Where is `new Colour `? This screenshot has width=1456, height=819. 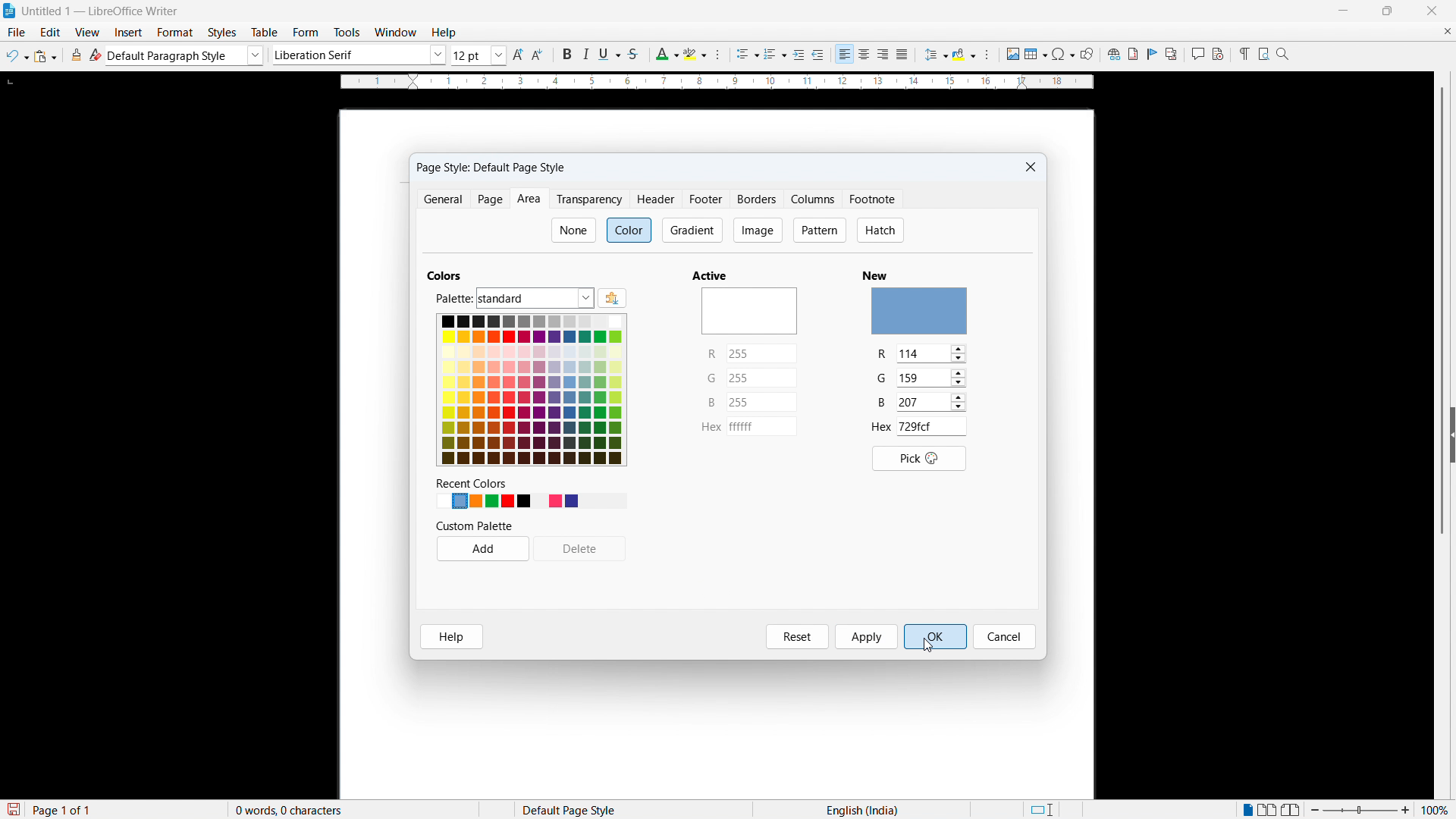 new Colour  is located at coordinates (919, 312).